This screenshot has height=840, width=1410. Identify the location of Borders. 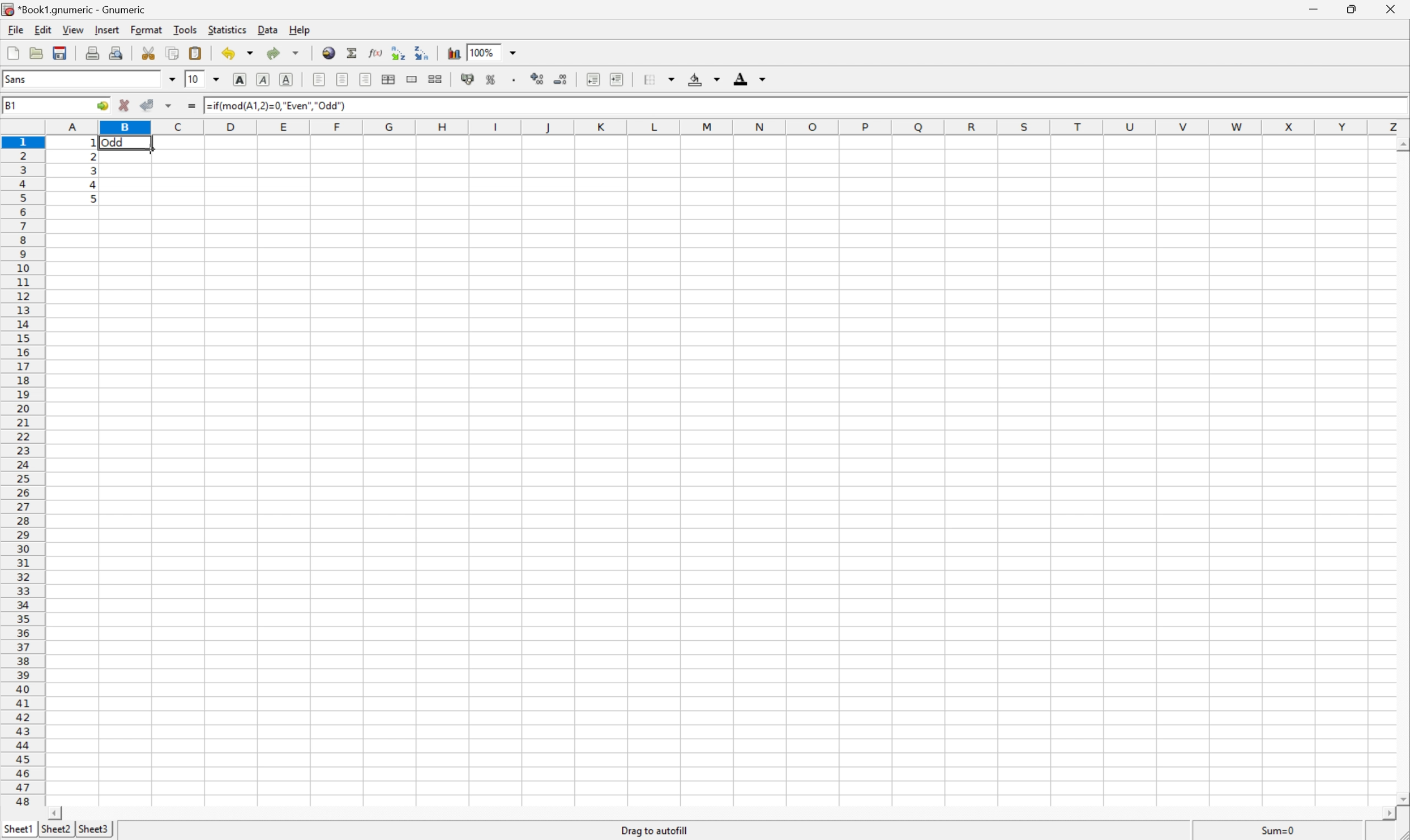
(657, 78).